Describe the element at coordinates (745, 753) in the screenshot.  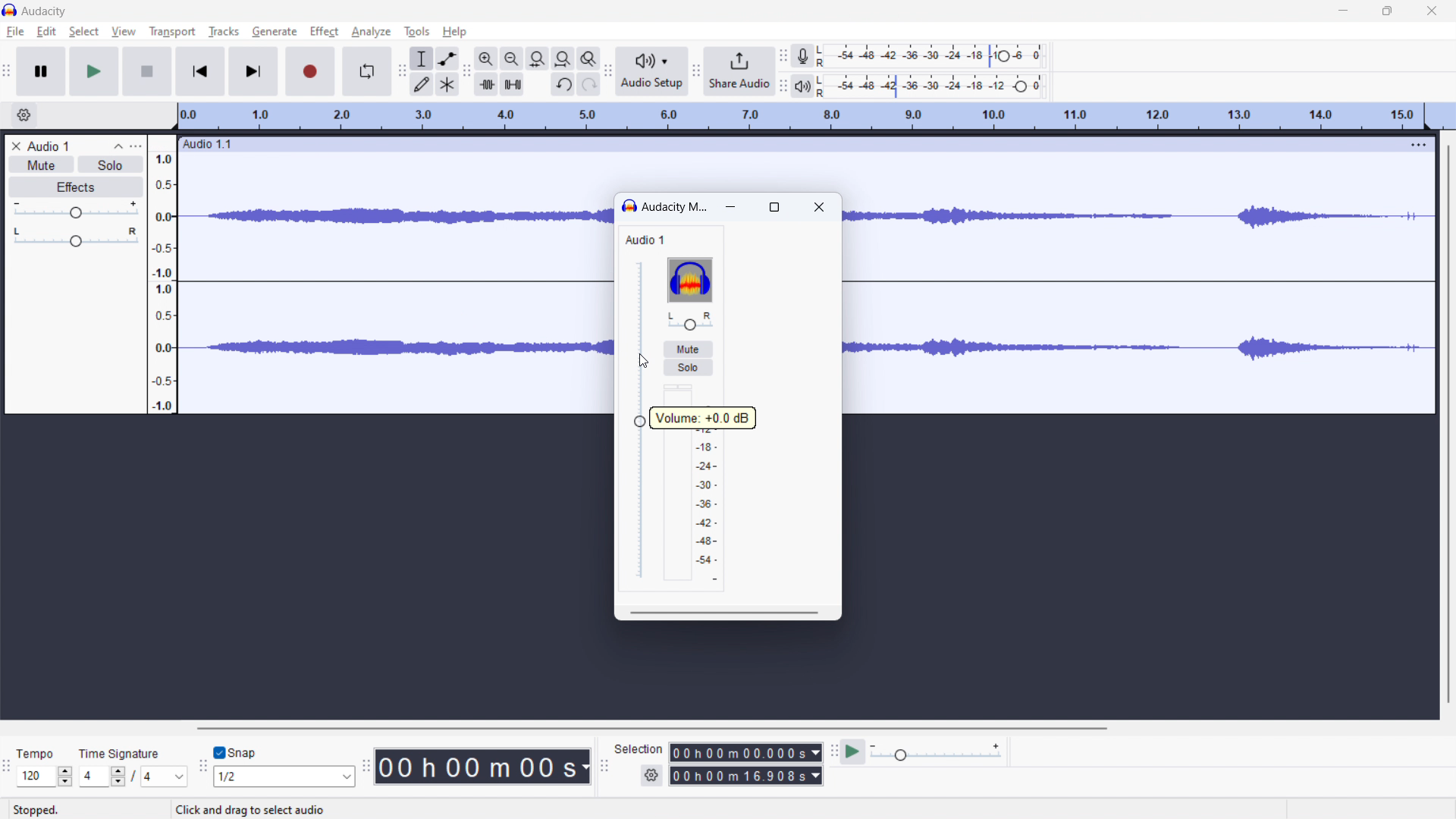
I see `start time` at that location.